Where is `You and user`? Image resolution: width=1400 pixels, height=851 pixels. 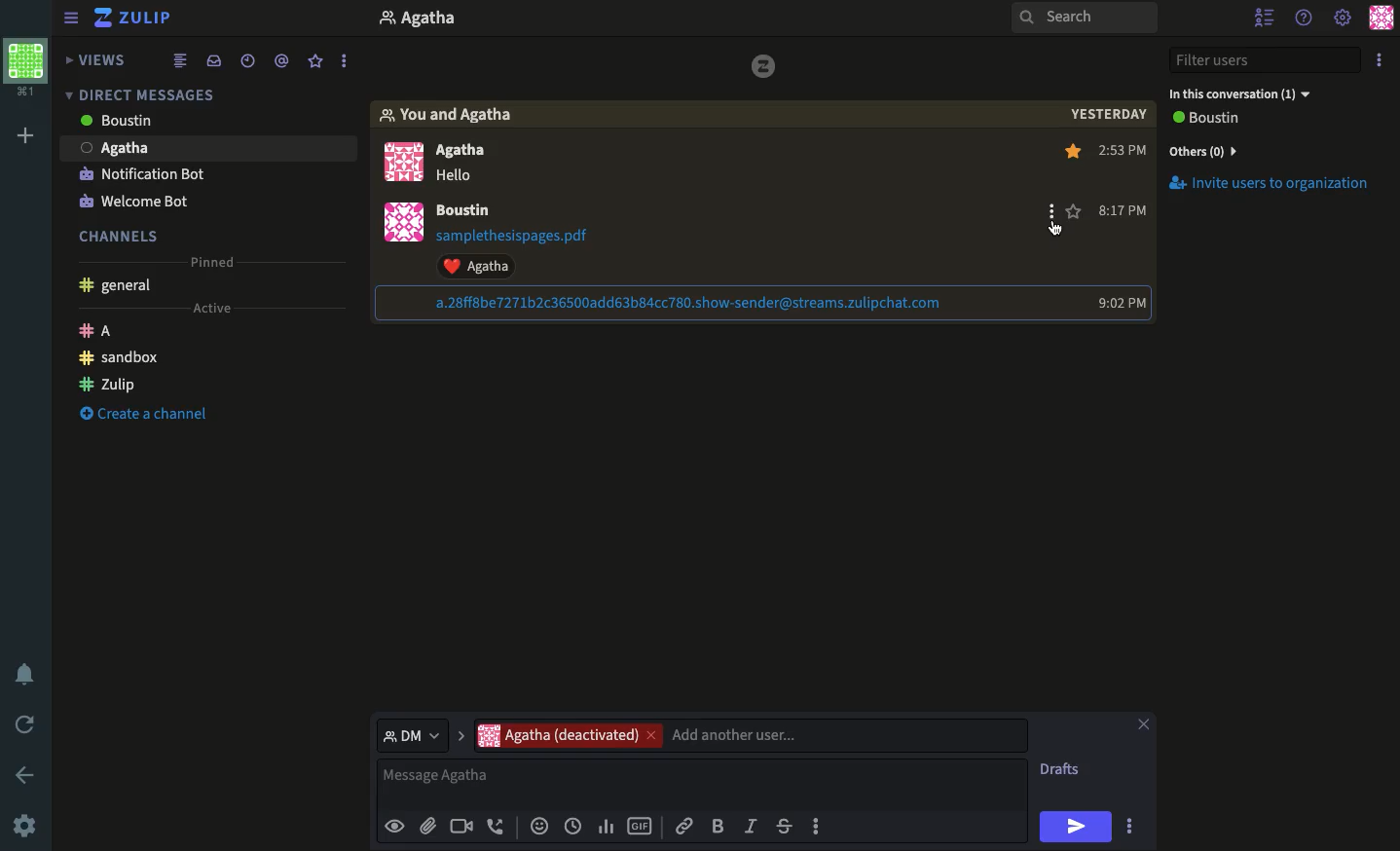 You and user is located at coordinates (457, 116).